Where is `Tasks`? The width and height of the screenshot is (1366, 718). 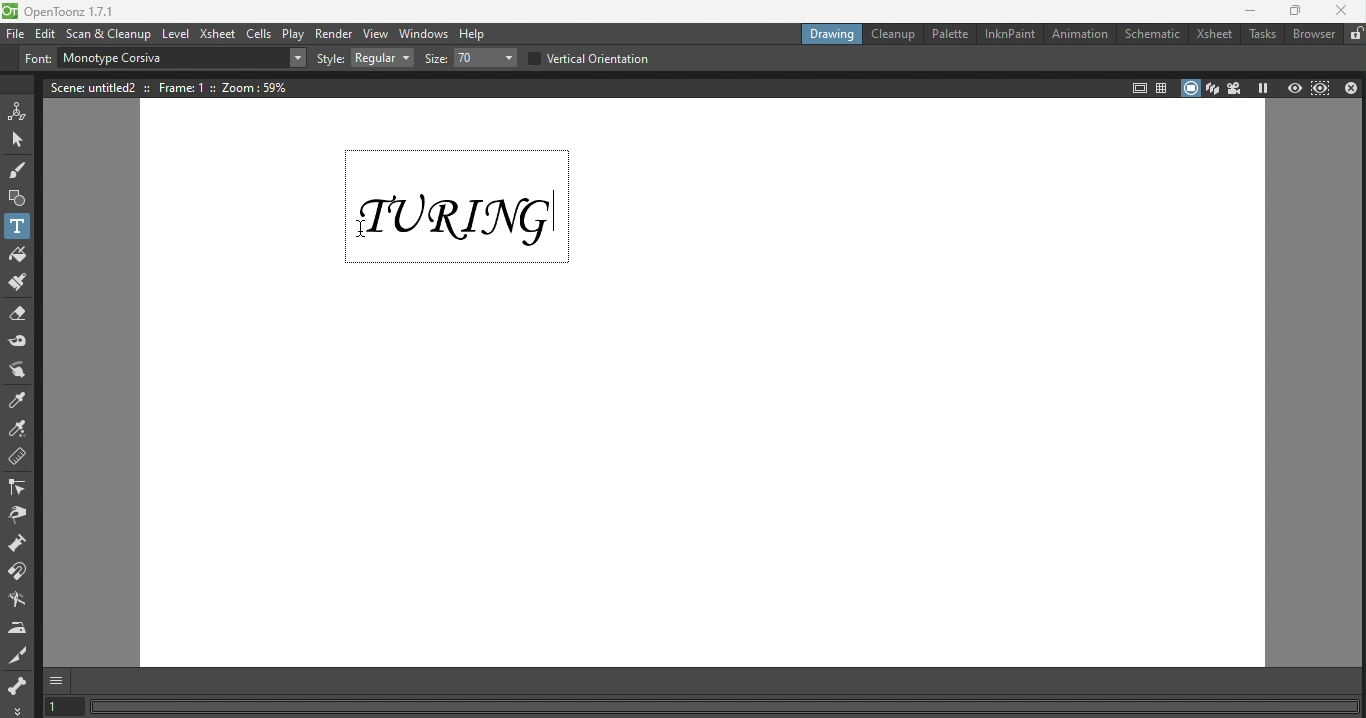 Tasks is located at coordinates (1263, 35).